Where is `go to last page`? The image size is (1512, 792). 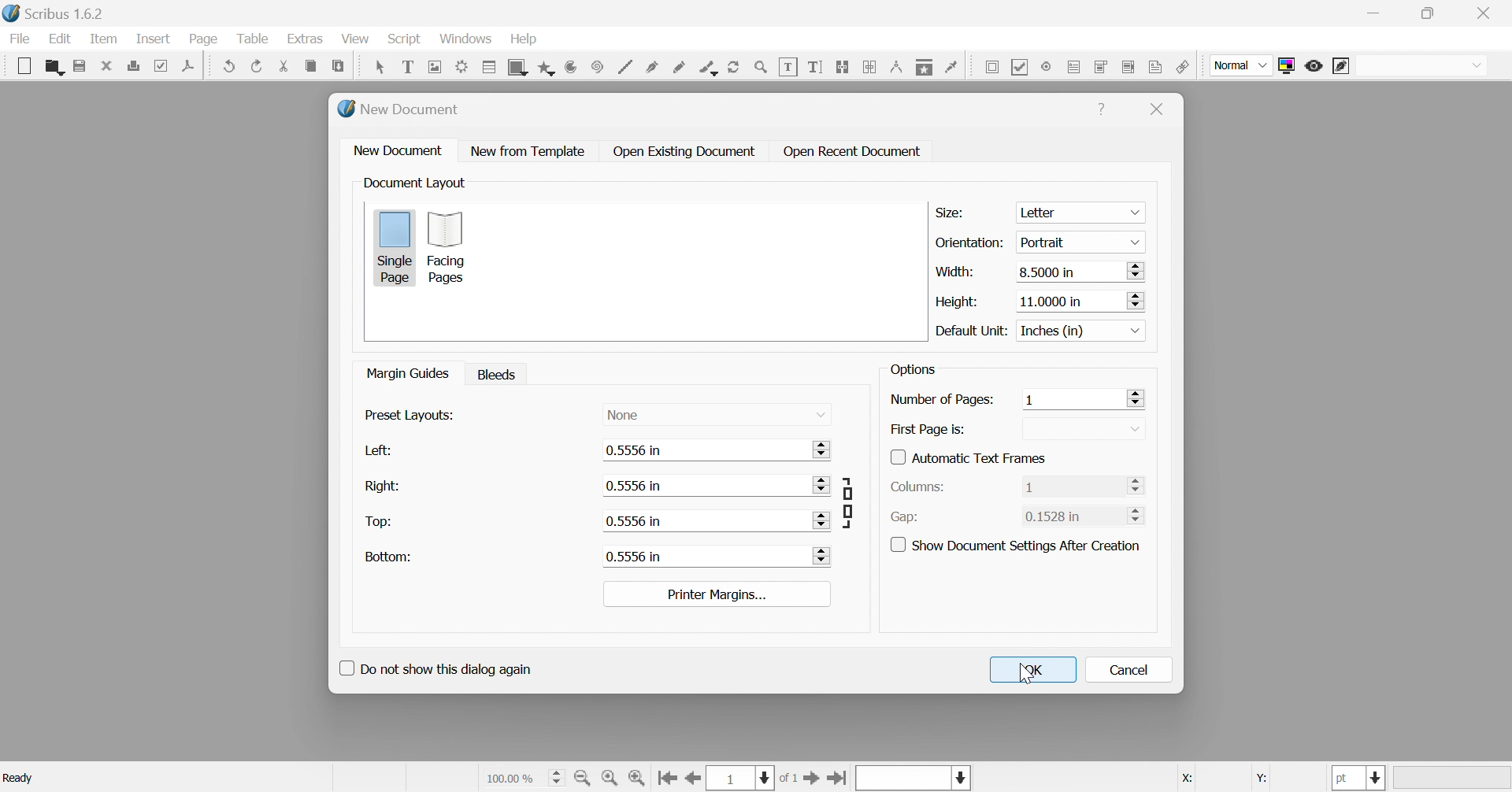 go to last page is located at coordinates (840, 777).